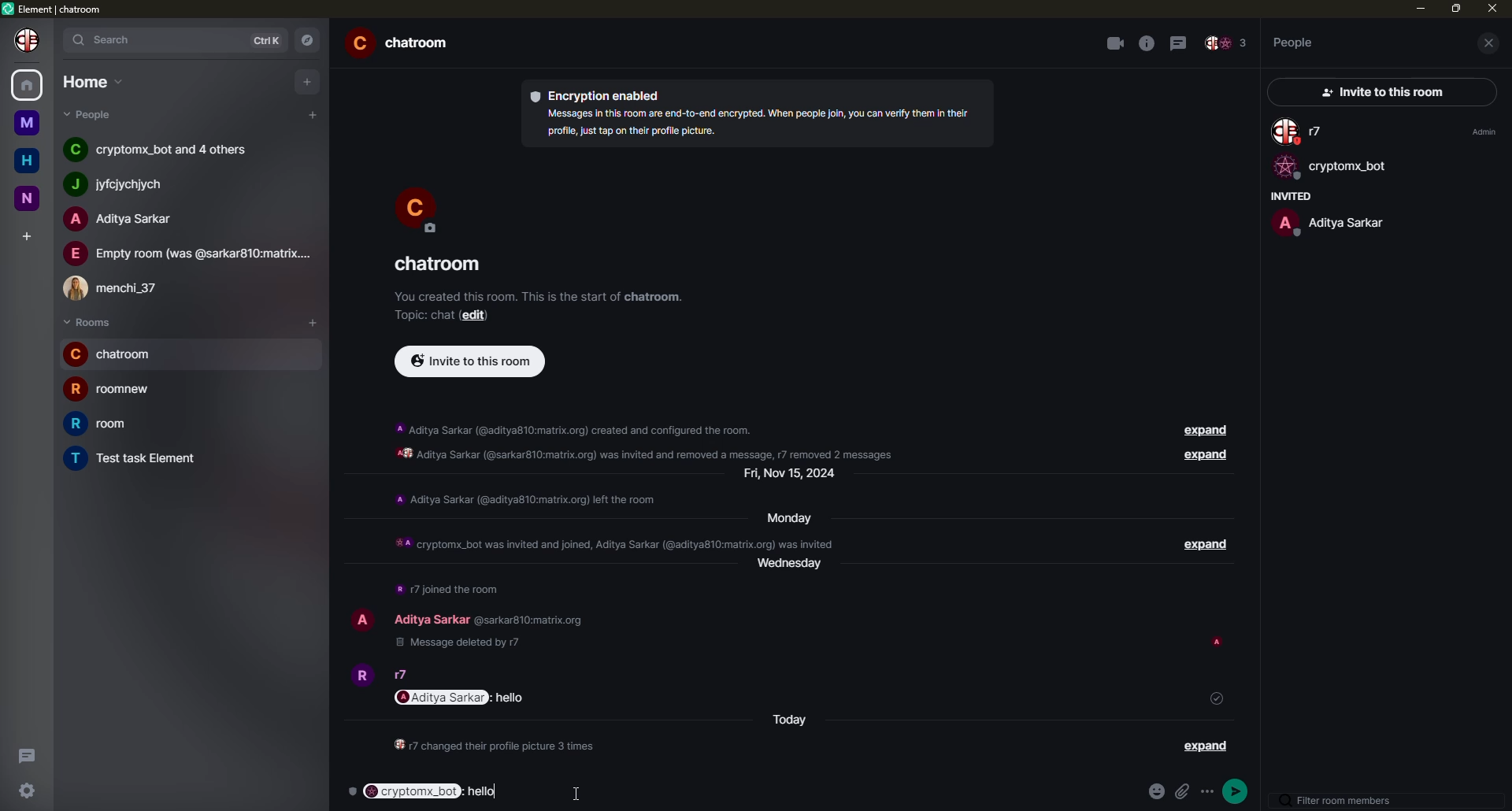 This screenshot has width=1512, height=811. What do you see at coordinates (526, 499) in the screenshot?
I see `info` at bounding box center [526, 499].